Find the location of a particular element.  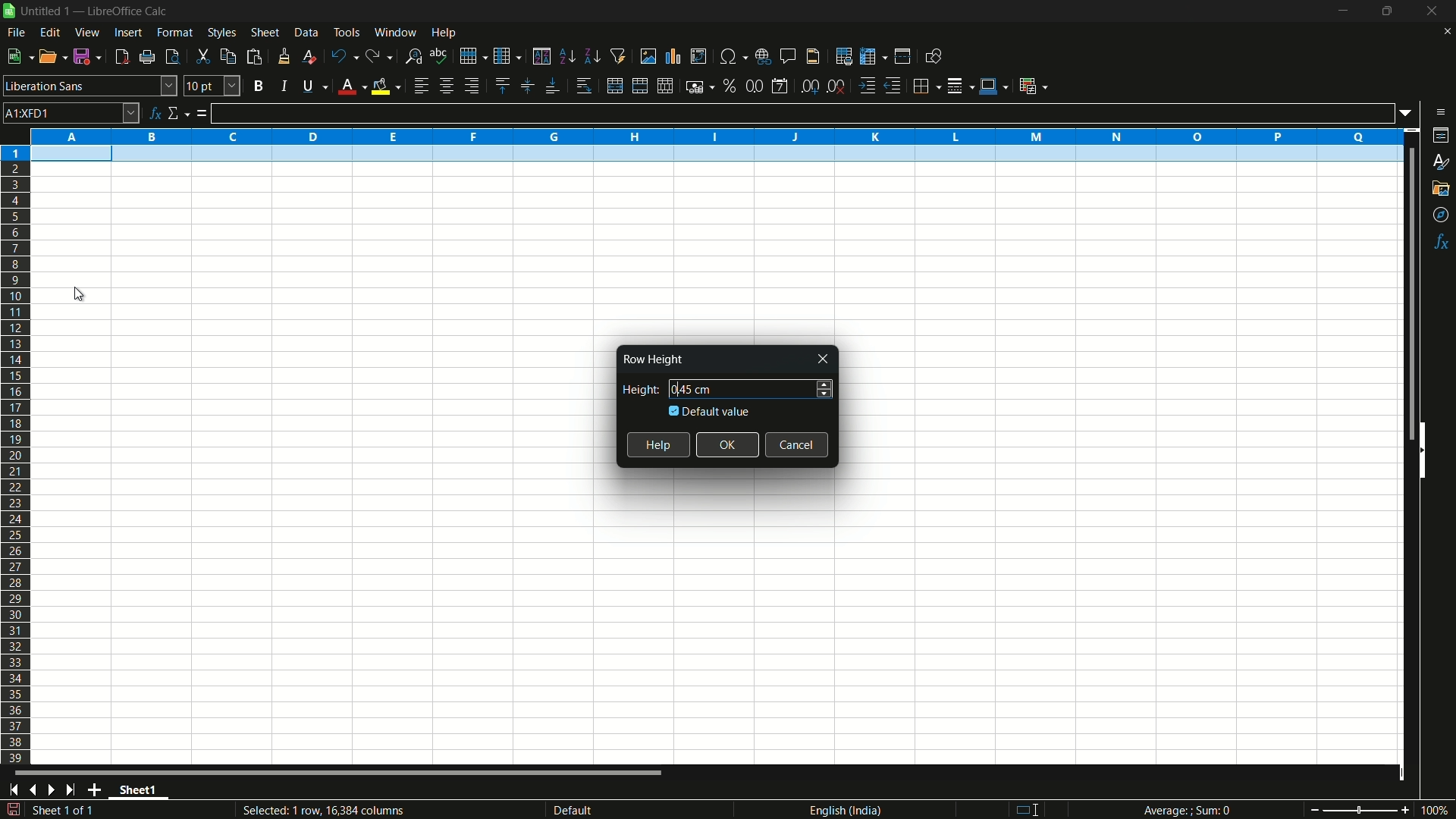

sort descending is located at coordinates (591, 56).